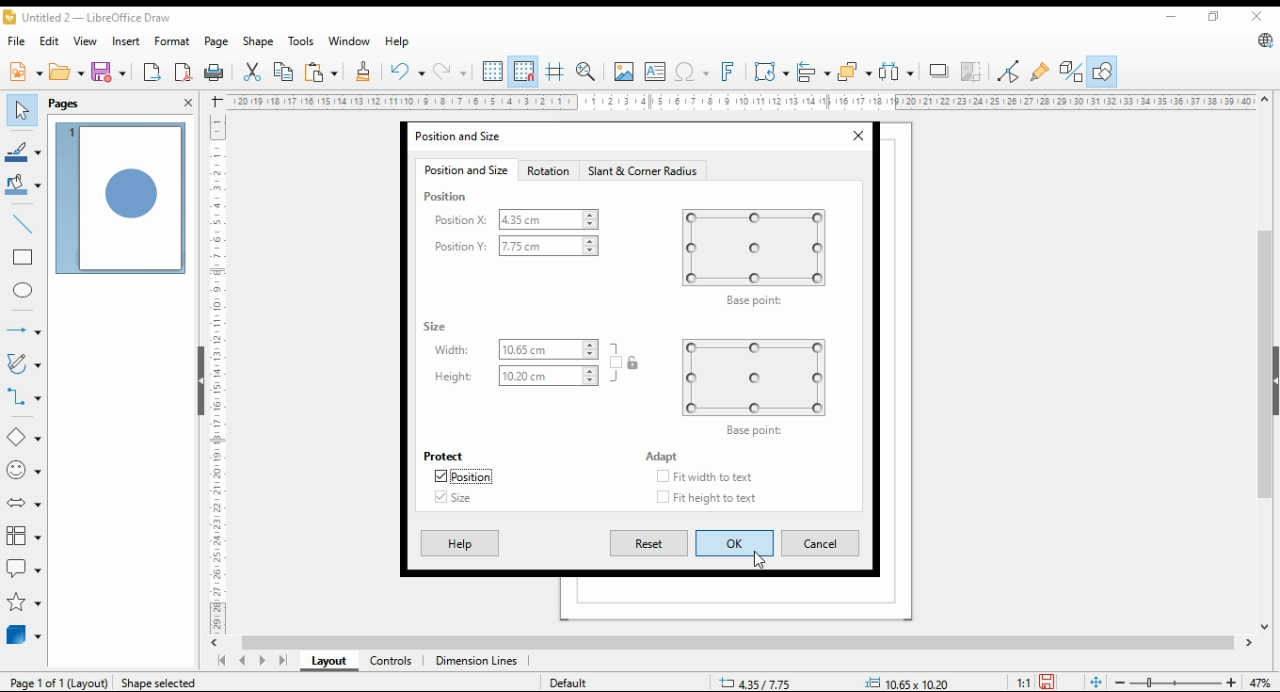 The height and width of the screenshot is (692, 1280). Describe the element at coordinates (449, 71) in the screenshot. I see `redo` at that location.